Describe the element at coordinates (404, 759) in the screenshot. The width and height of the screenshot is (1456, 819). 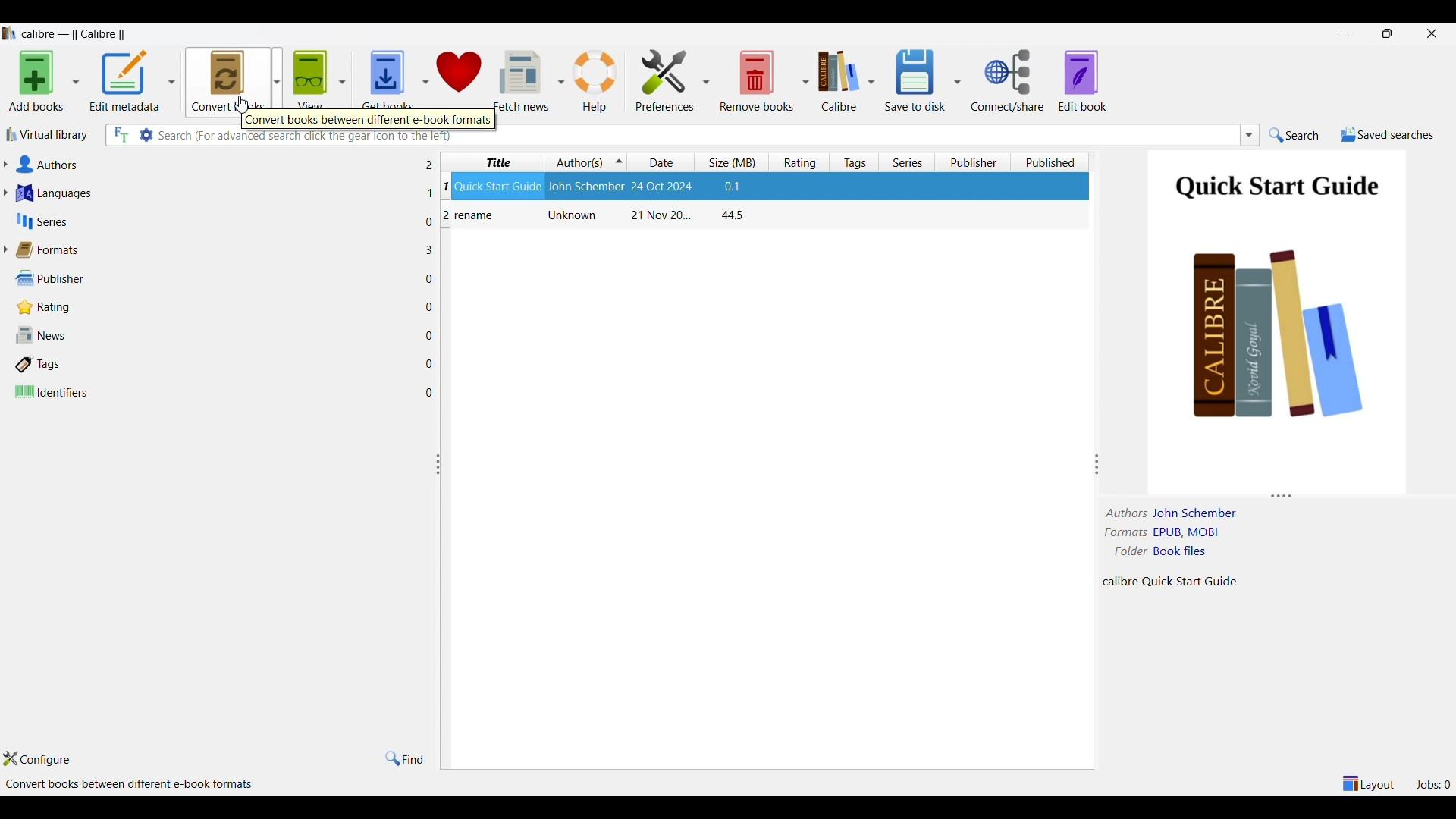
I see `Find` at that location.